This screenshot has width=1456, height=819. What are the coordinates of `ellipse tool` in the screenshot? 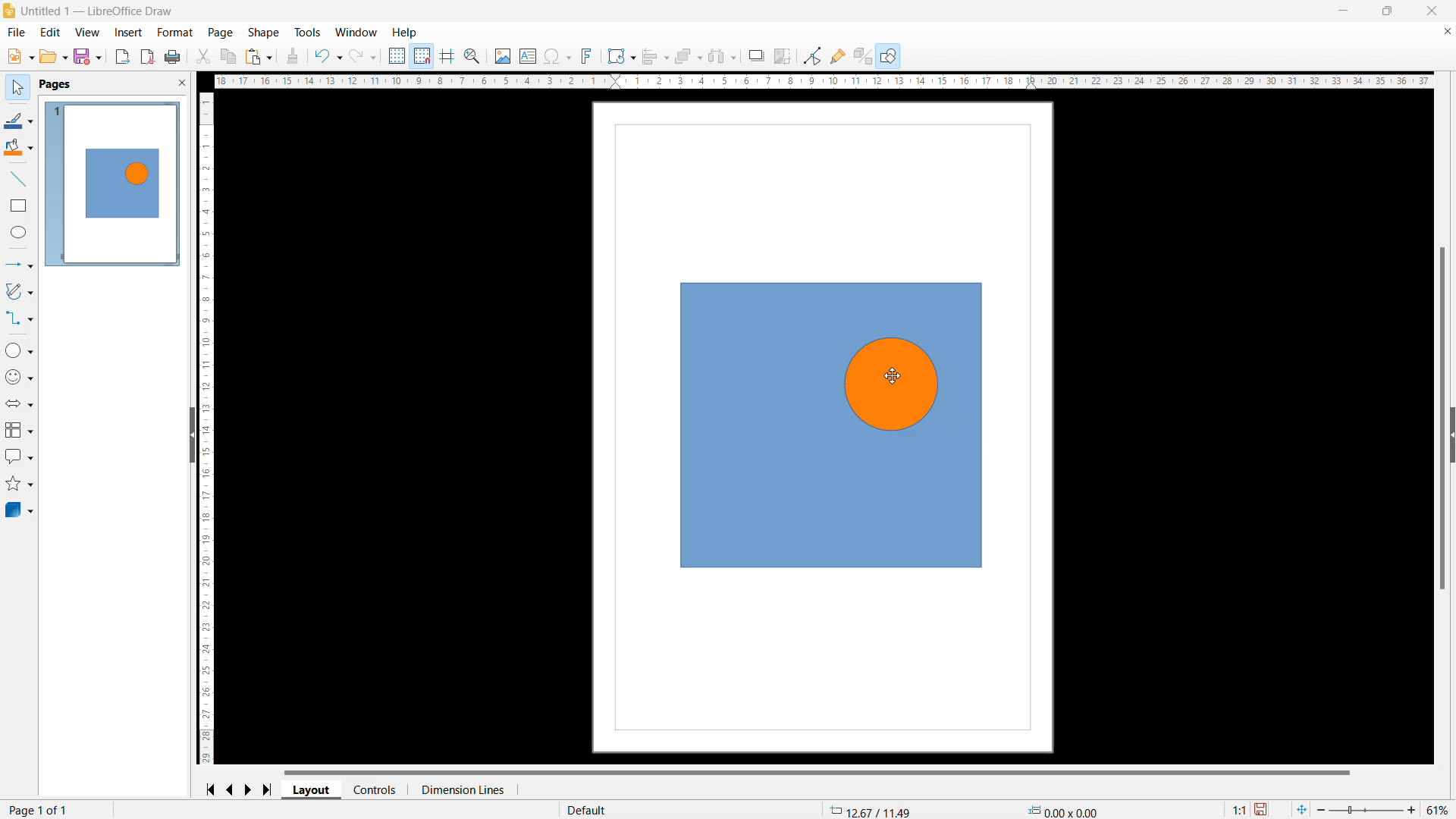 It's located at (20, 233).